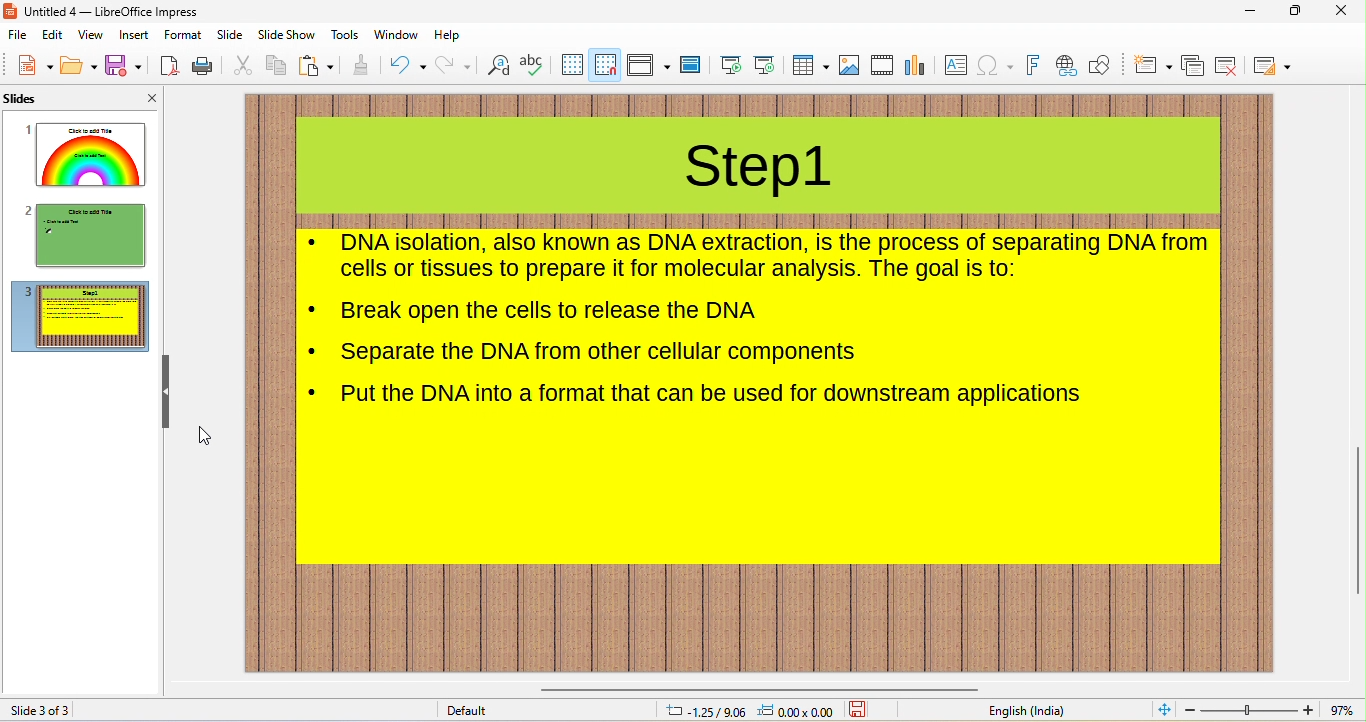 The width and height of the screenshot is (1366, 722). What do you see at coordinates (713, 396) in the screenshot?
I see `content` at bounding box center [713, 396].